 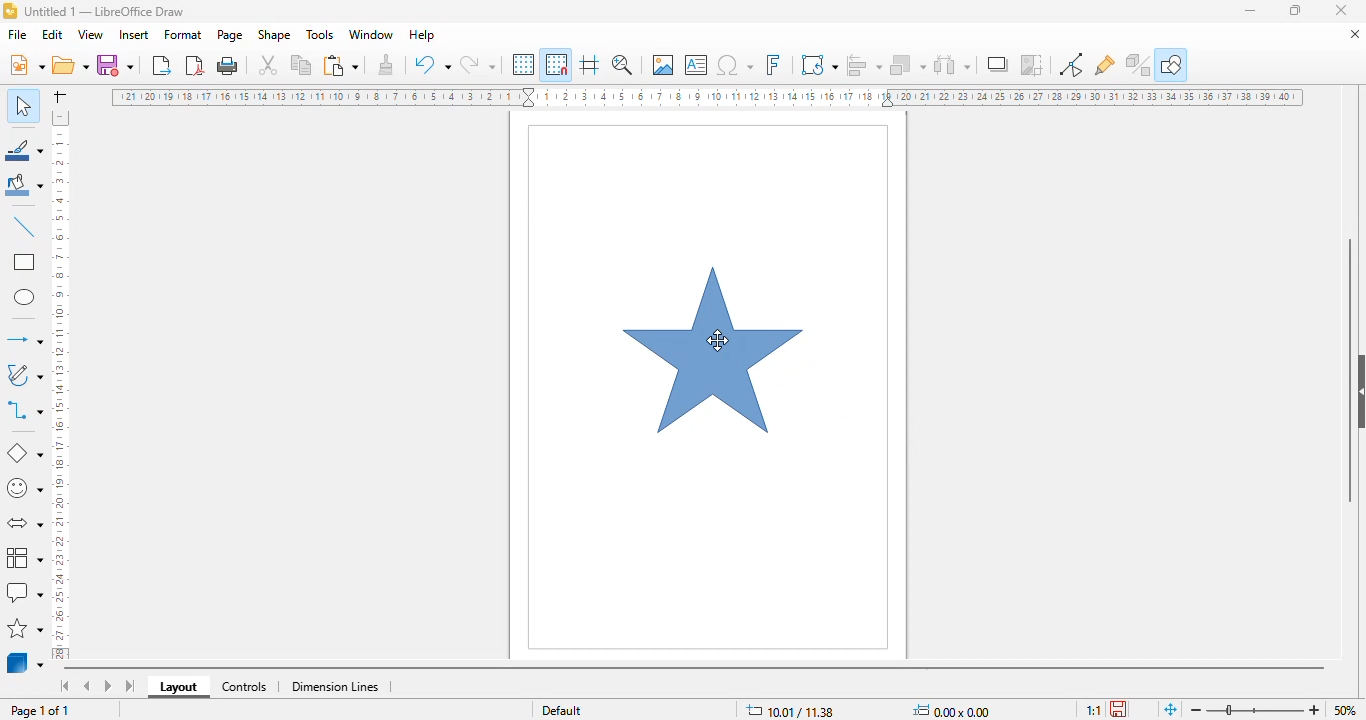 What do you see at coordinates (819, 65) in the screenshot?
I see `transformations` at bounding box center [819, 65].